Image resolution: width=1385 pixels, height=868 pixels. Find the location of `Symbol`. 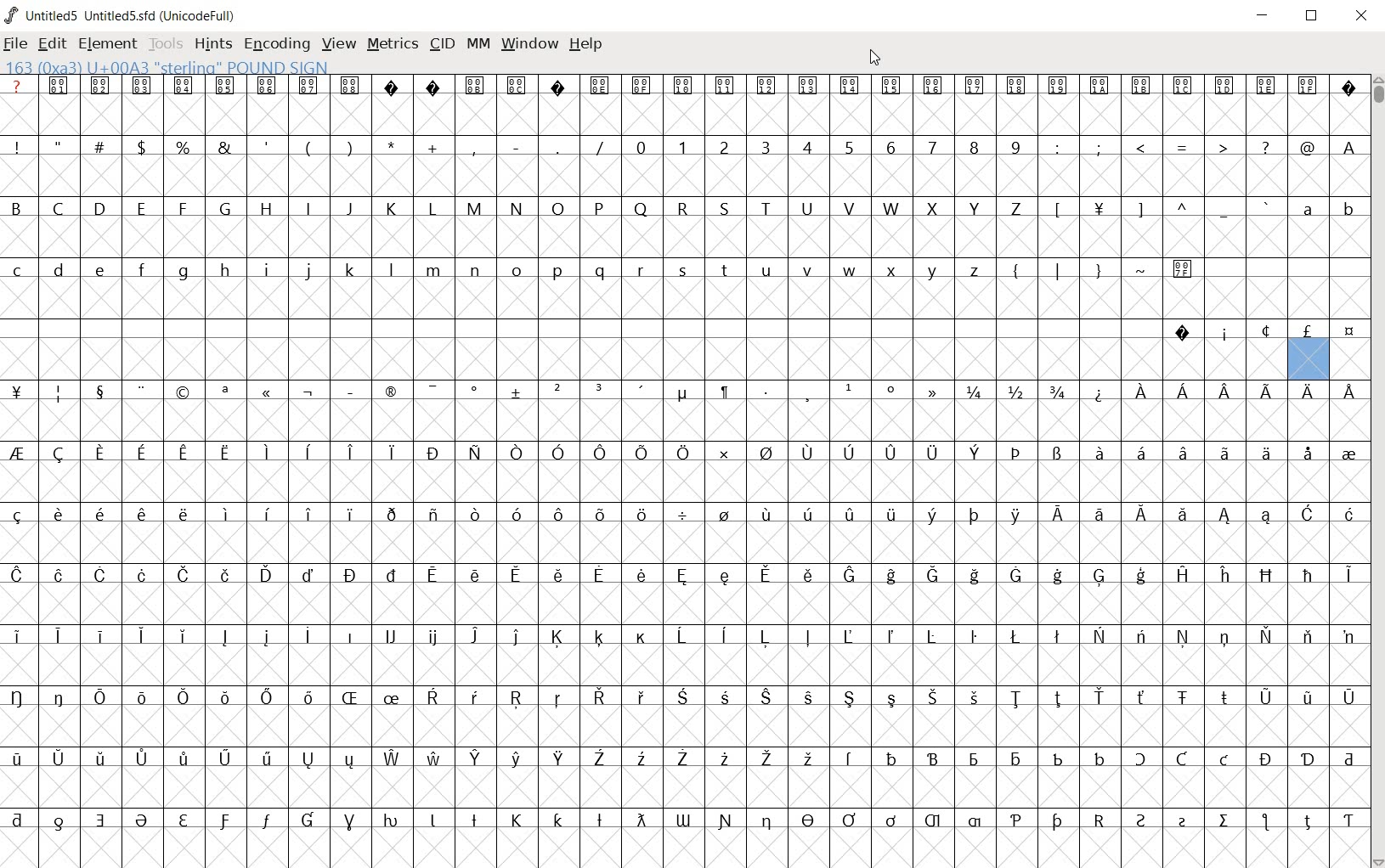

Symbol is located at coordinates (1096, 454).